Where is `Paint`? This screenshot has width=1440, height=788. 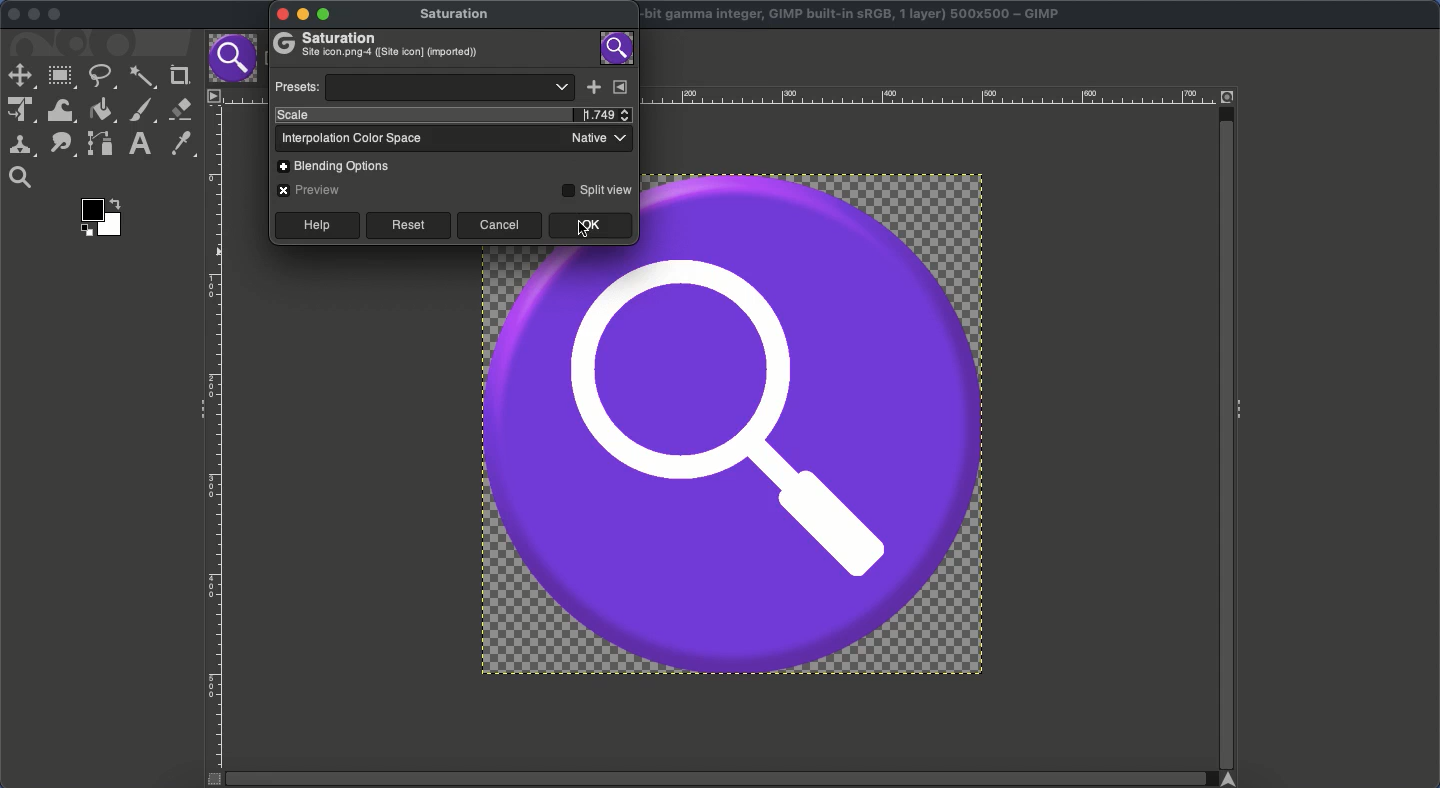
Paint is located at coordinates (142, 111).